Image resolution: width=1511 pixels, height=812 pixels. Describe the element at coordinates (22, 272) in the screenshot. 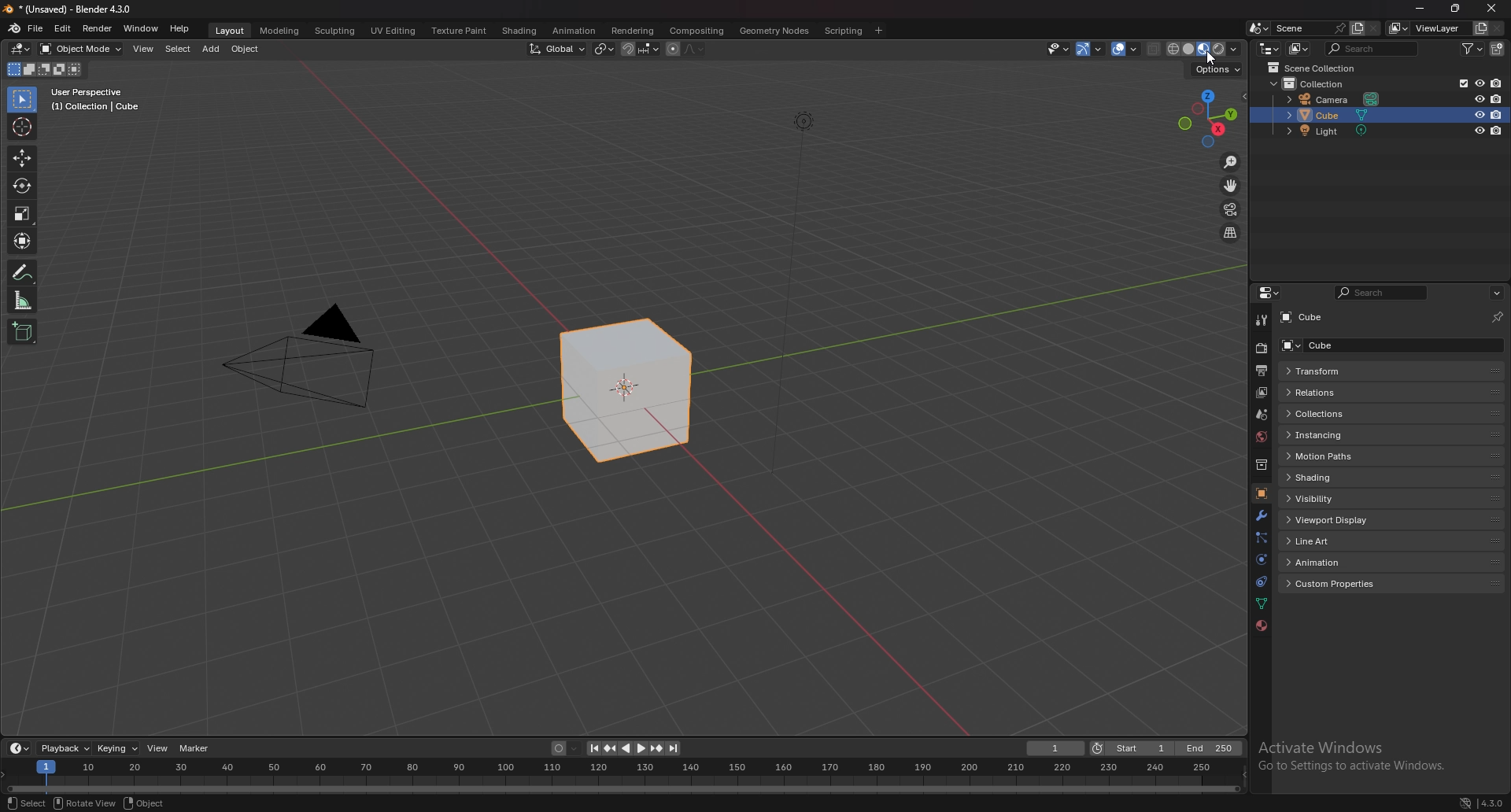

I see `annotate` at that location.